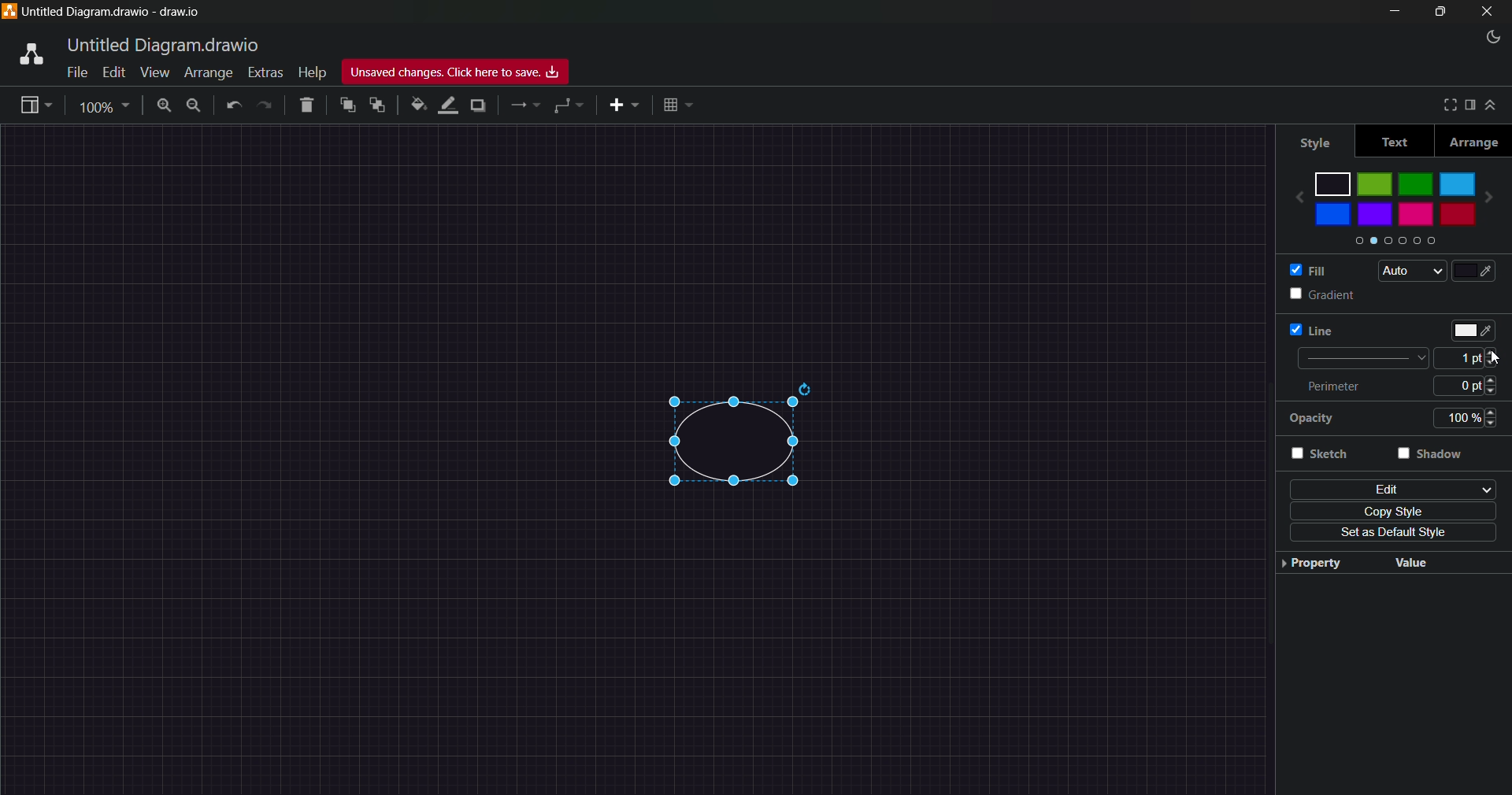 The height and width of the screenshot is (795, 1512). What do you see at coordinates (1492, 357) in the screenshot?
I see `cursor` at bounding box center [1492, 357].